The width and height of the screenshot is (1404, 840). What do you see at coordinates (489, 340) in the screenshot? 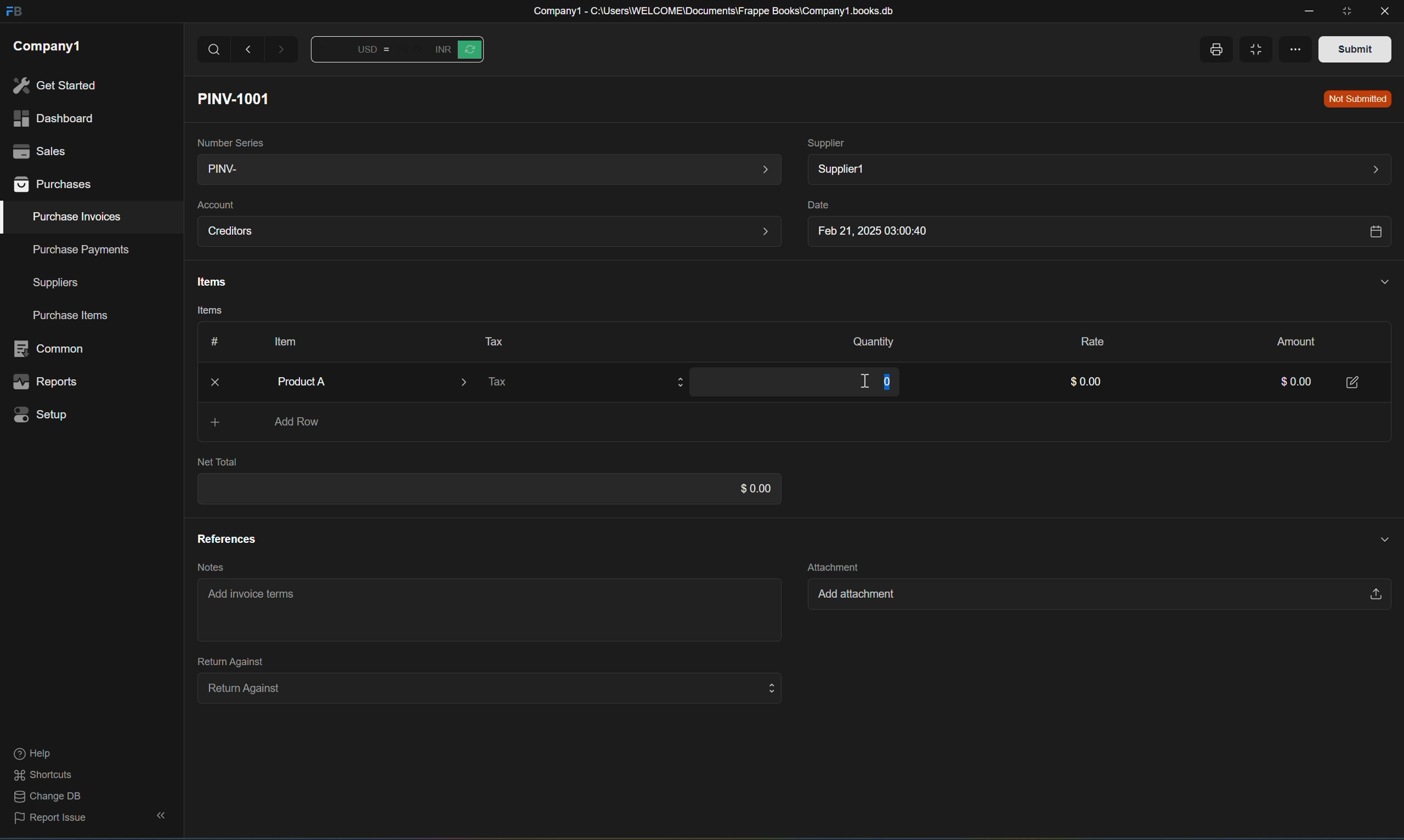
I see `Tax` at bounding box center [489, 340].